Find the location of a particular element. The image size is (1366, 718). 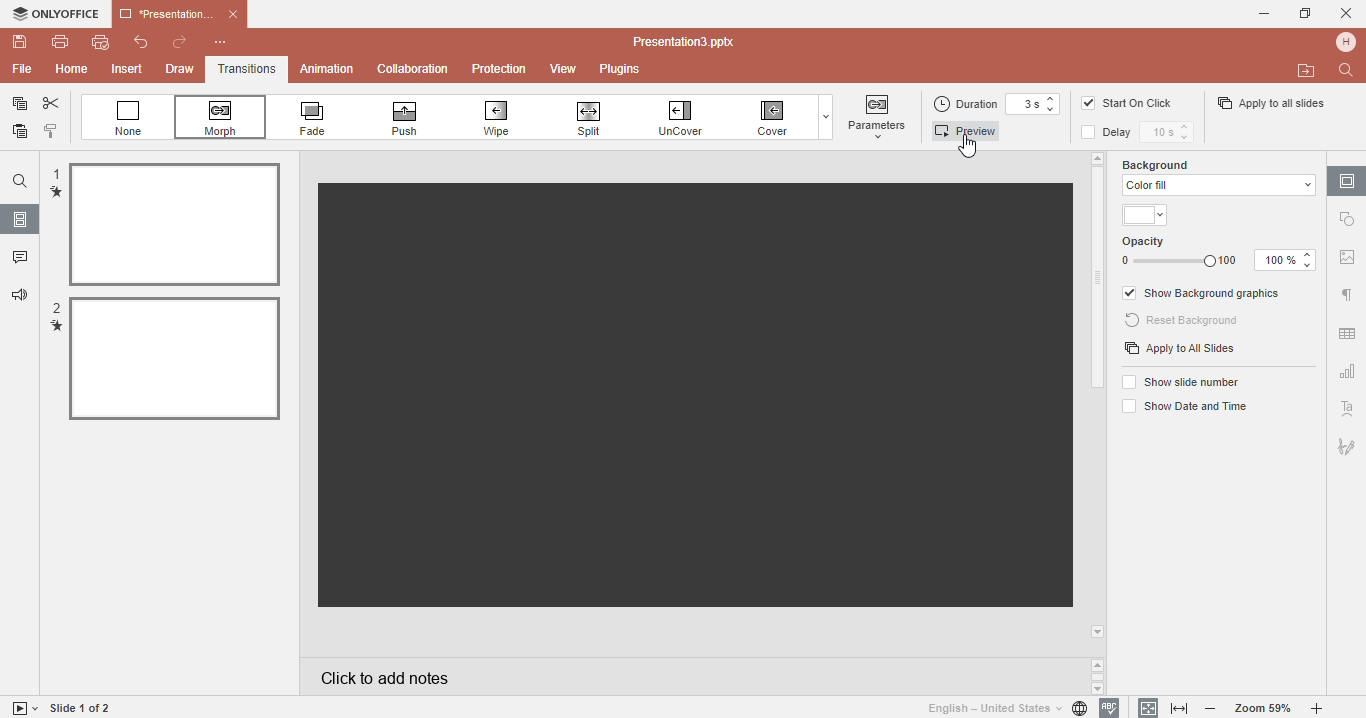

Slected file 2 is located at coordinates (175, 358).